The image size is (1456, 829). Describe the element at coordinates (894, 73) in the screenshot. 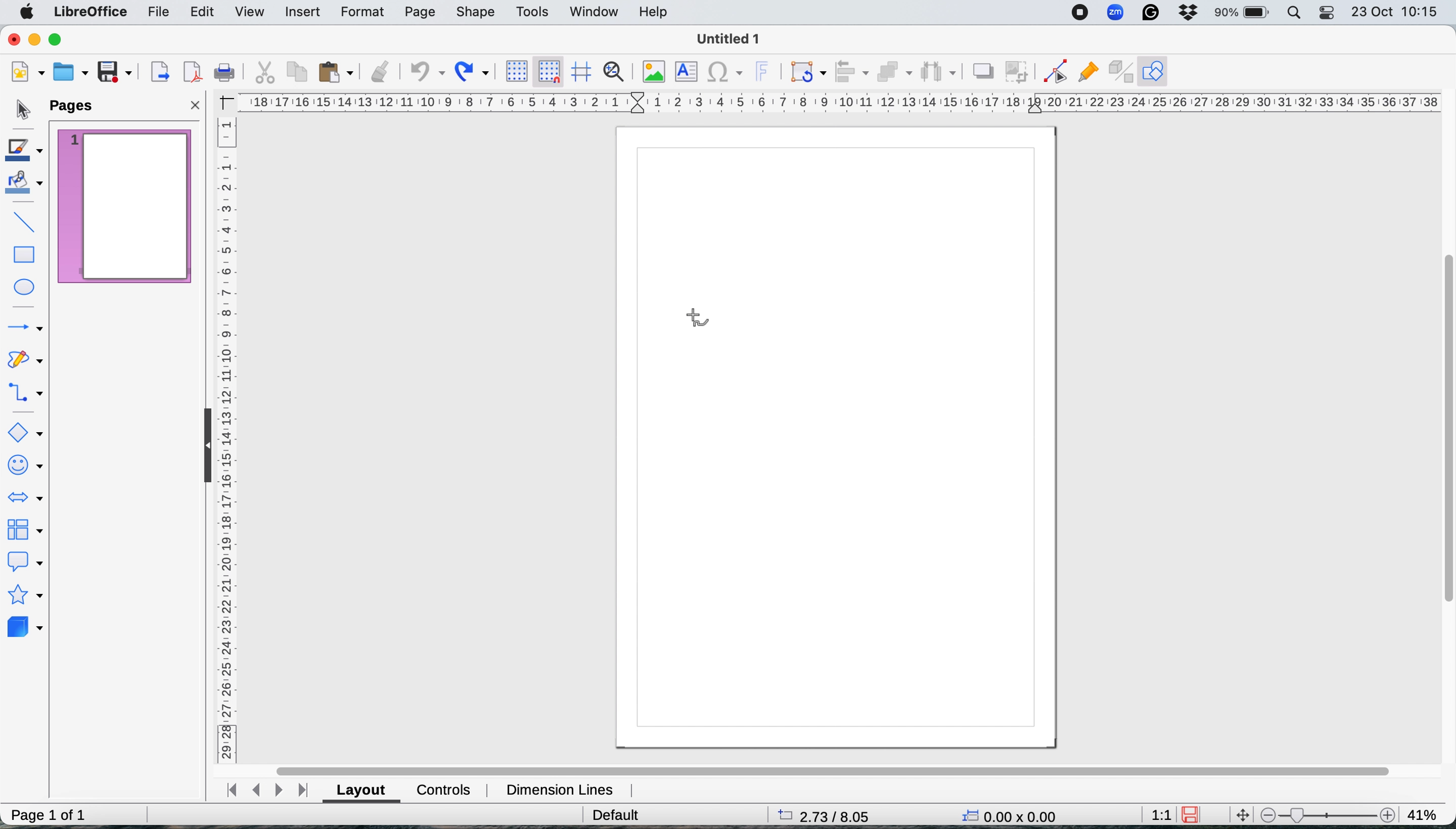

I see `arrange` at that location.